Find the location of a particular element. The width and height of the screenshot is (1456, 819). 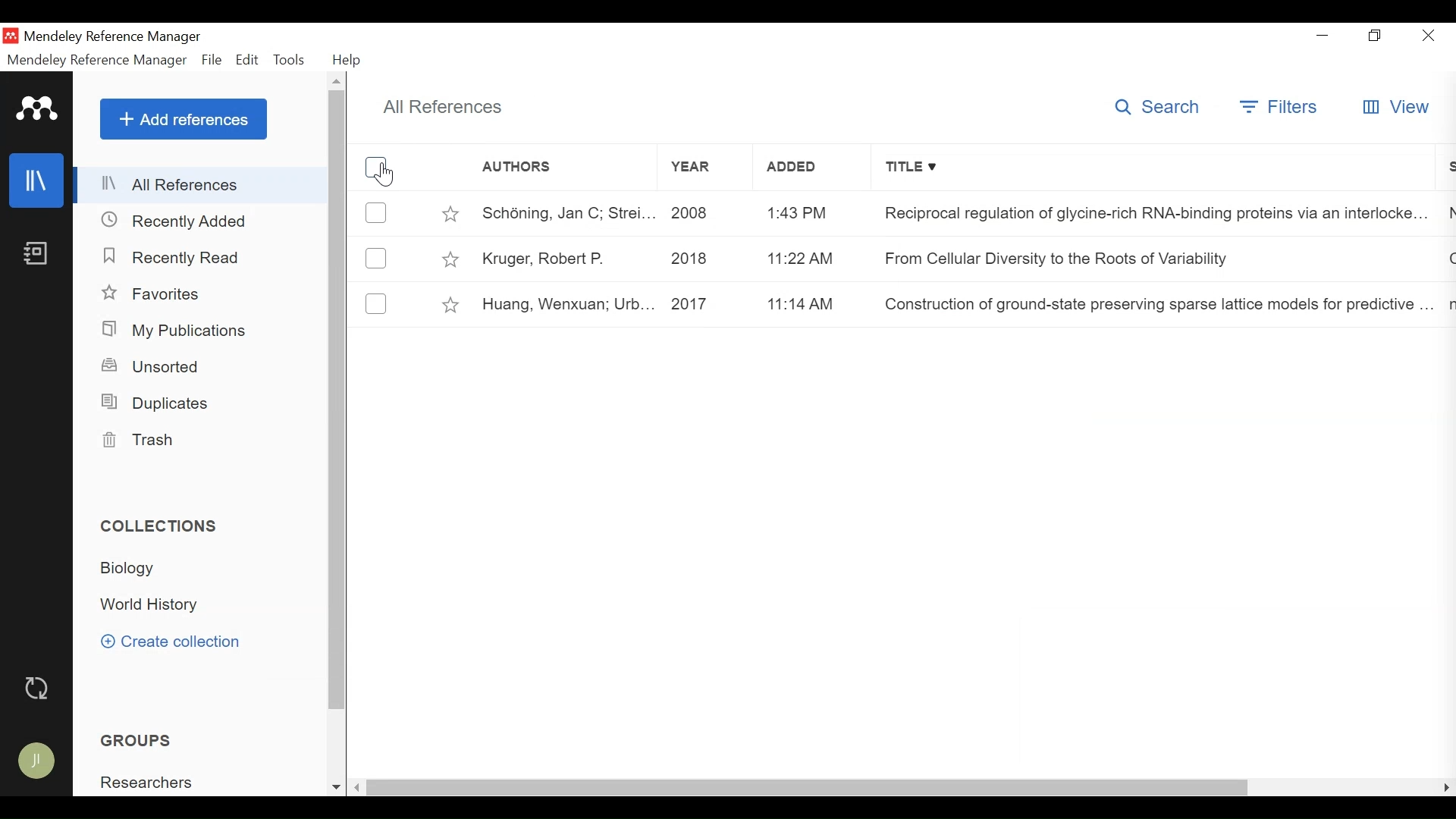

Mendeley Reference Manager is located at coordinates (95, 60).